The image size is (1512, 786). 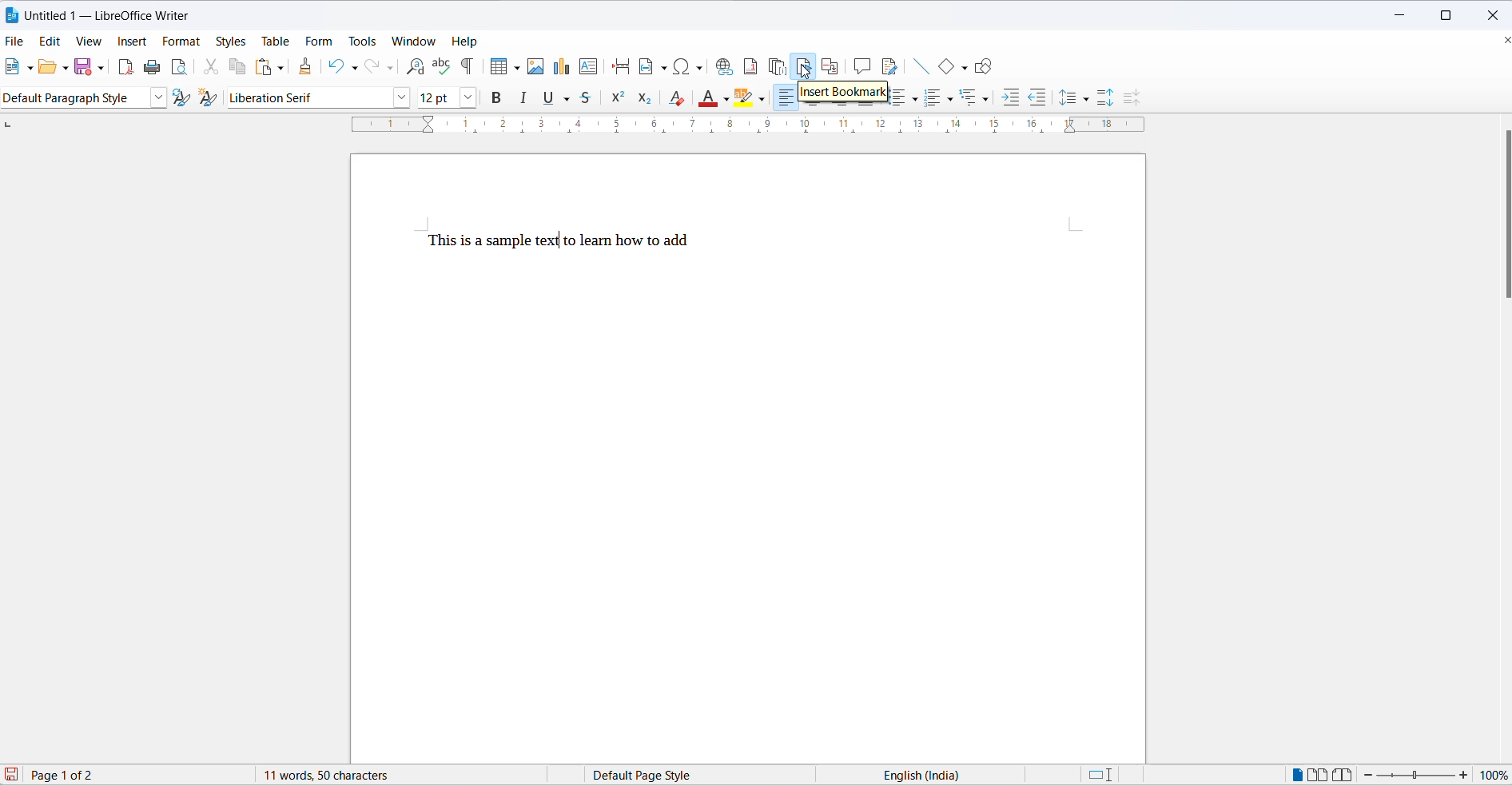 What do you see at coordinates (30, 69) in the screenshot?
I see `new file options` at bounding box center [30, 69].